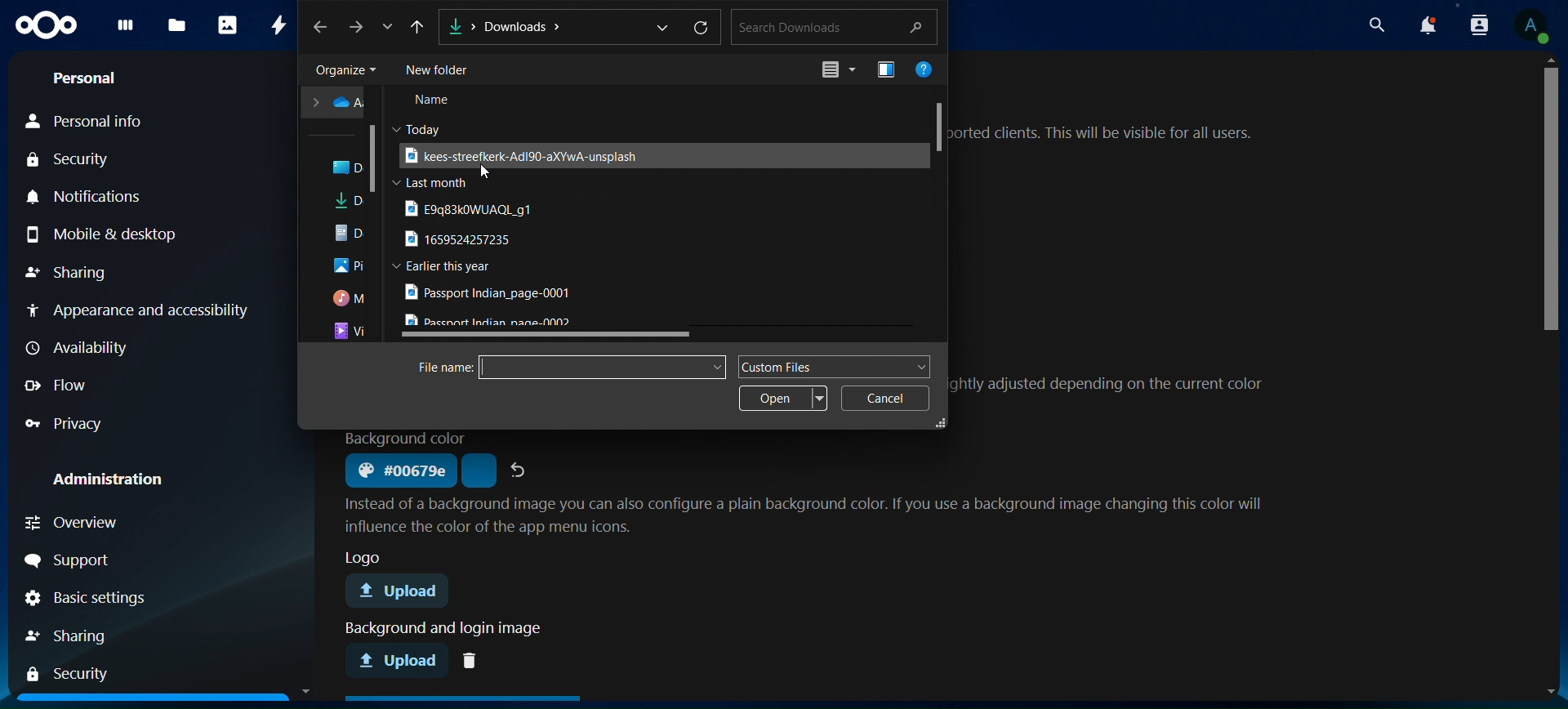 The height and width of the screenshot is (709, 1568). What do you see at coordinates (446, 368) in the screenshot?
I see `file name` at bounding box center [446, 368].